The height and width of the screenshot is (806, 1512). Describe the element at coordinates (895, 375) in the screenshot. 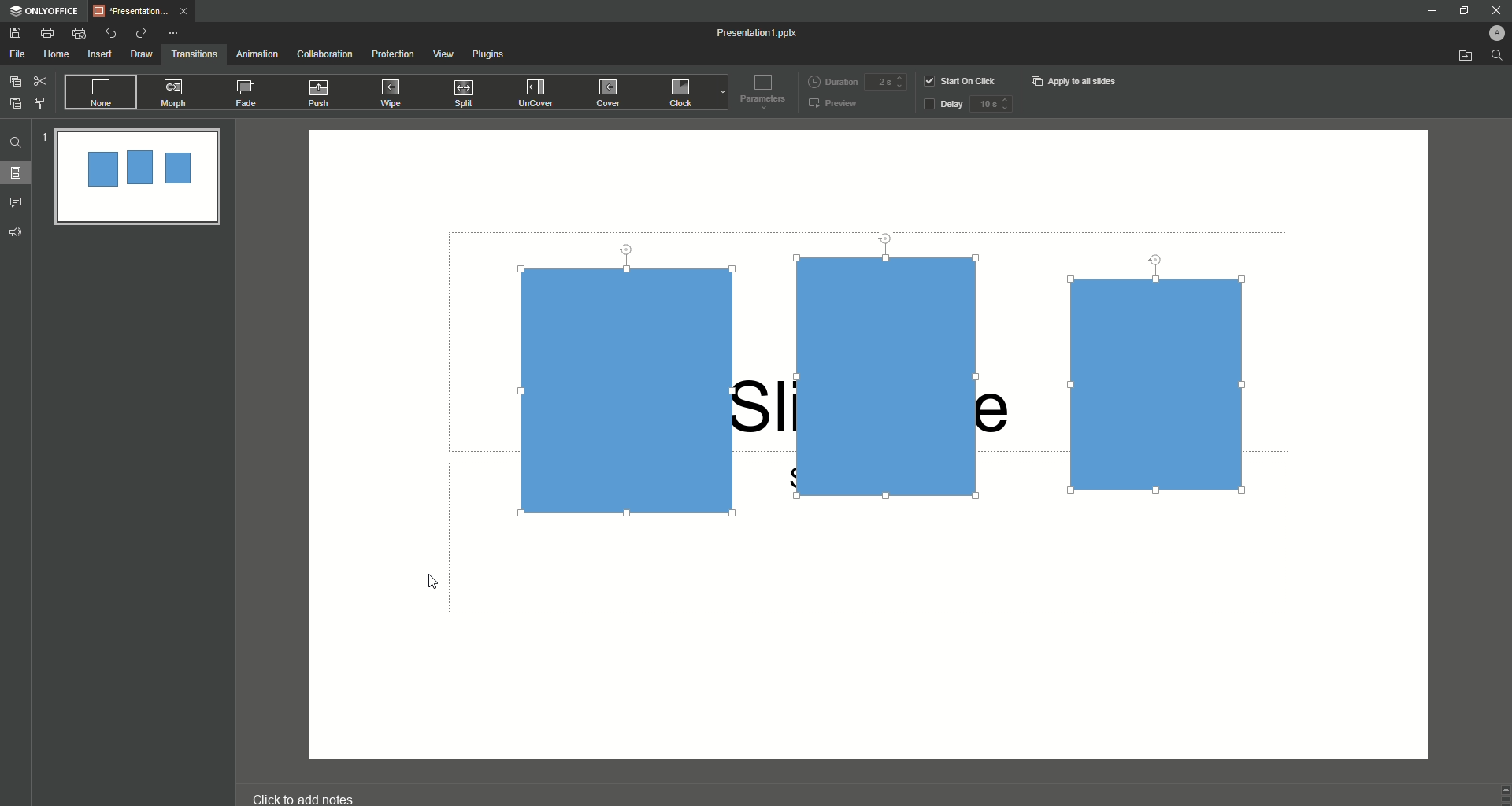

I see `Shape 2` at that location.